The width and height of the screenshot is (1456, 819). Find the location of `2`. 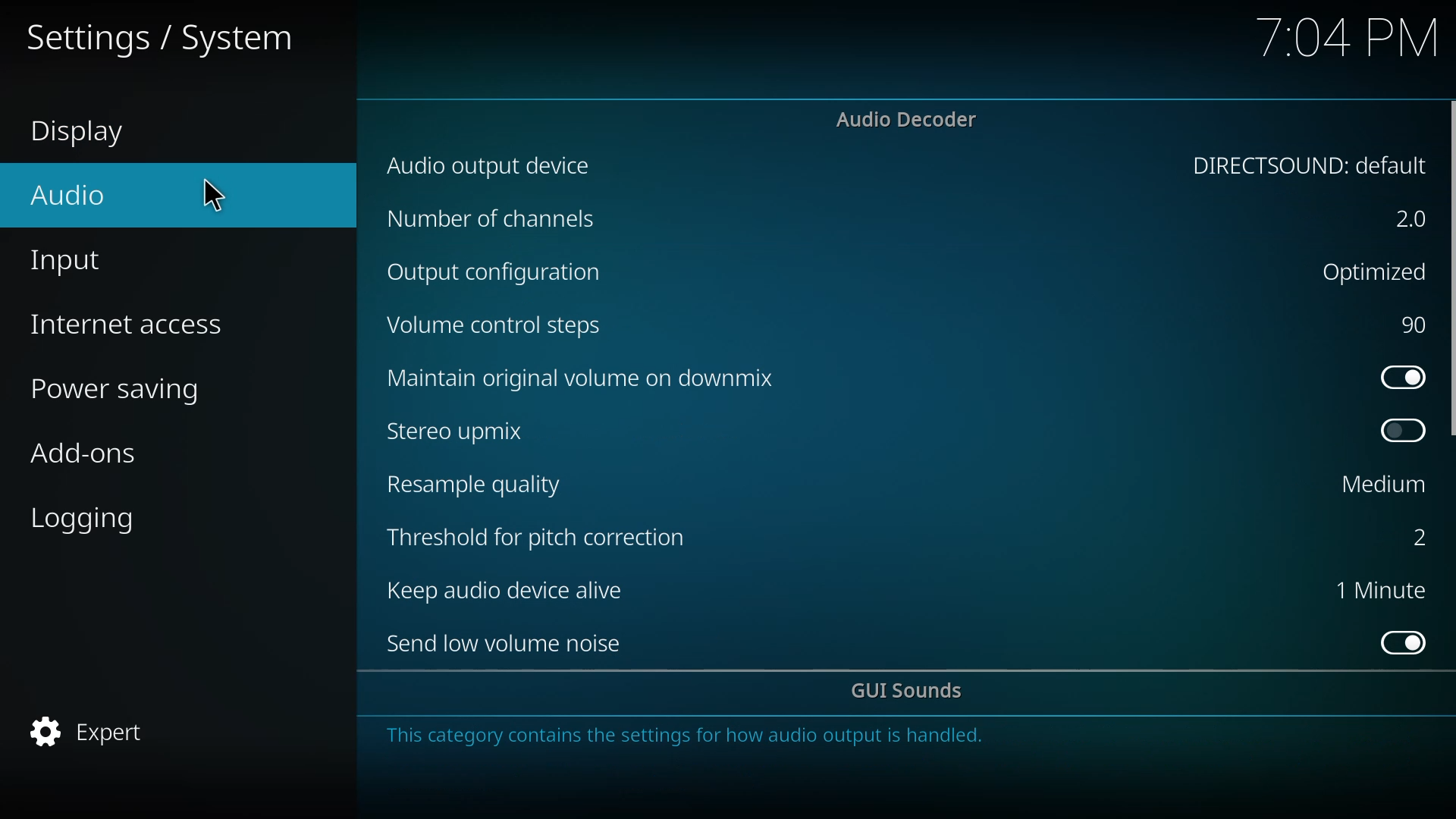

2 is located at coordinates (1409, 537).